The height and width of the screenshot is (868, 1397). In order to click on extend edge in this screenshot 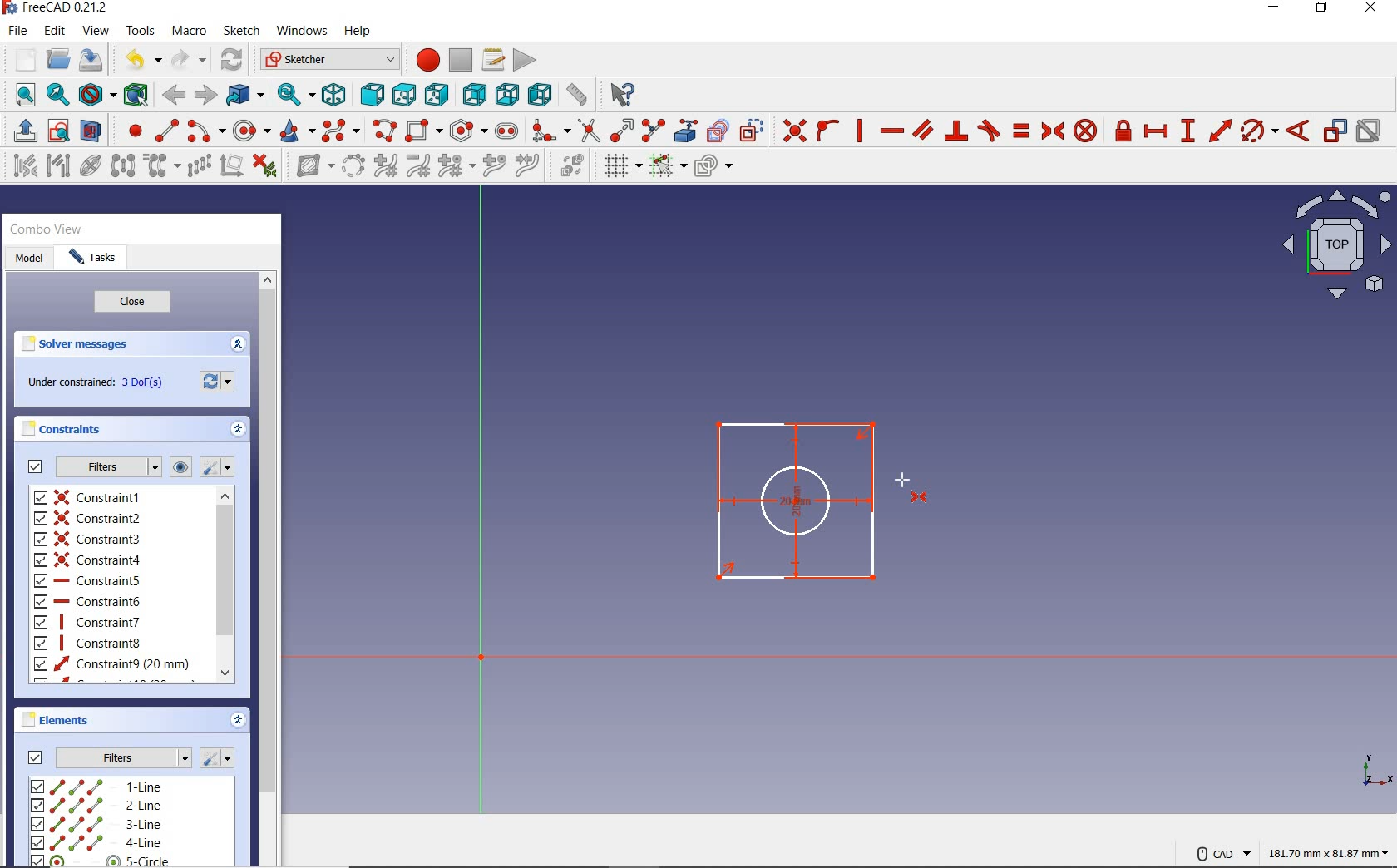, I will do `click(621, 129)`.